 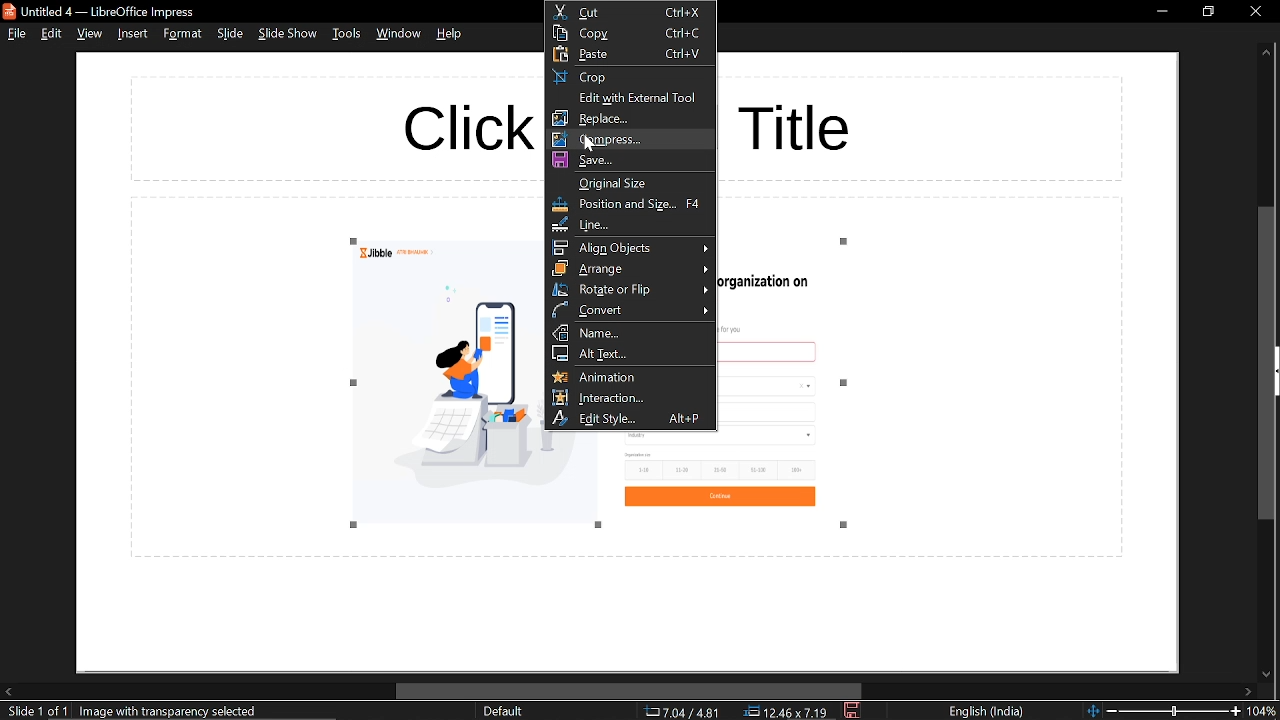 What do you see at coordinates (345, 37) in the screenshot?
I see `tools` at bounding box center [345, 37].